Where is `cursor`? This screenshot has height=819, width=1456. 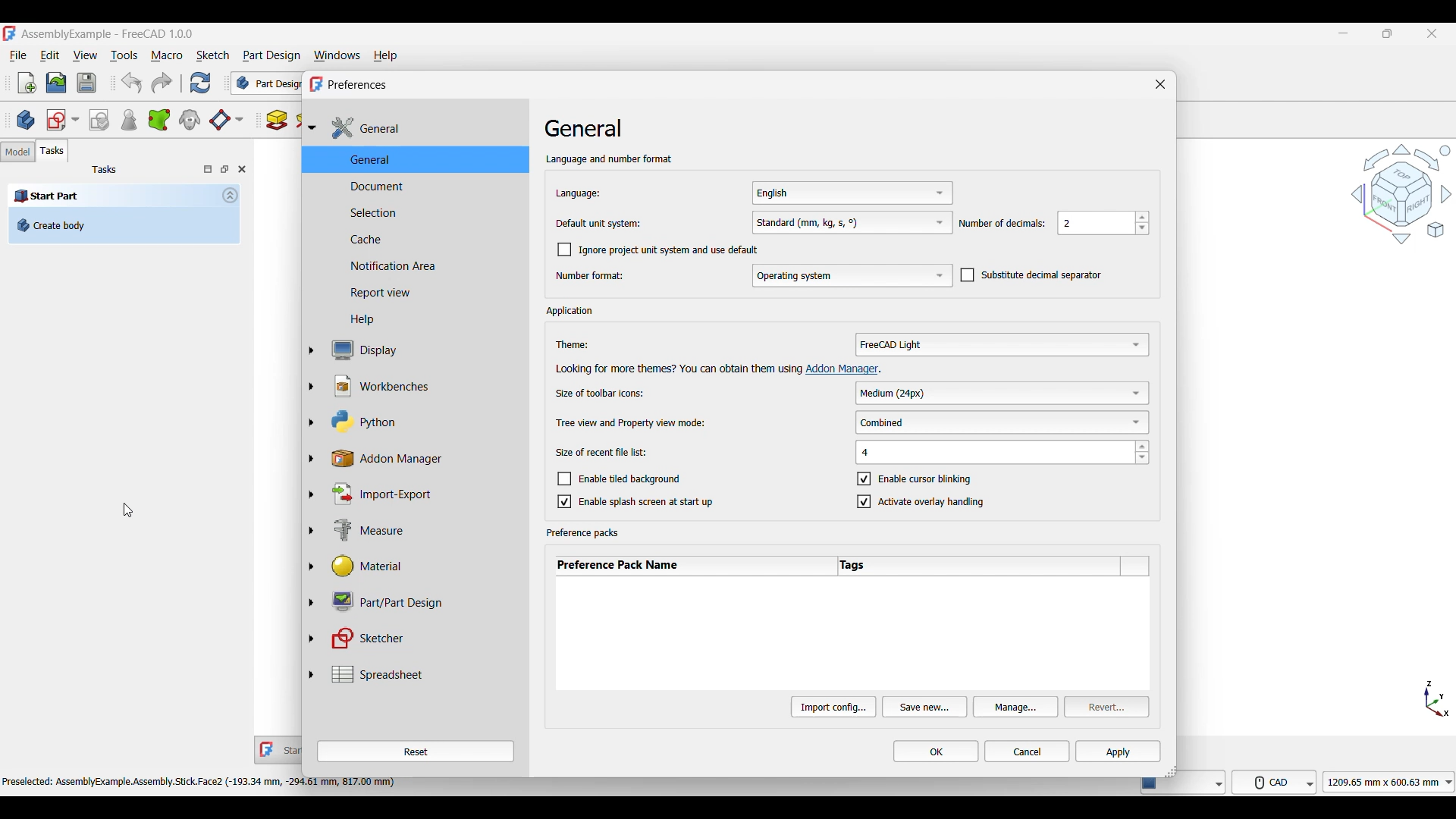 cursor is located at coordinates (129, 509).